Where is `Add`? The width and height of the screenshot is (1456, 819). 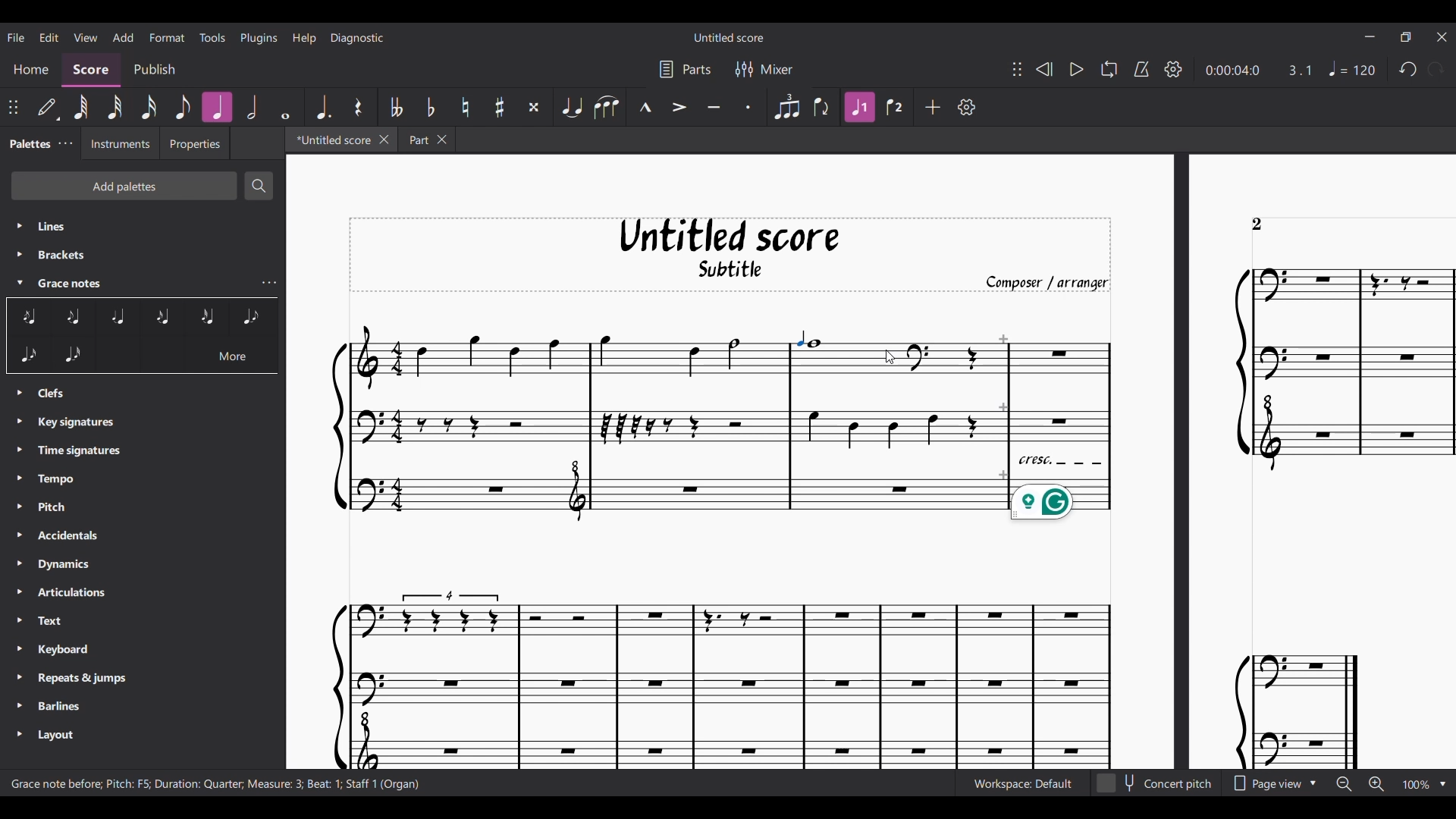 Add is located at coordinates (932, 107).